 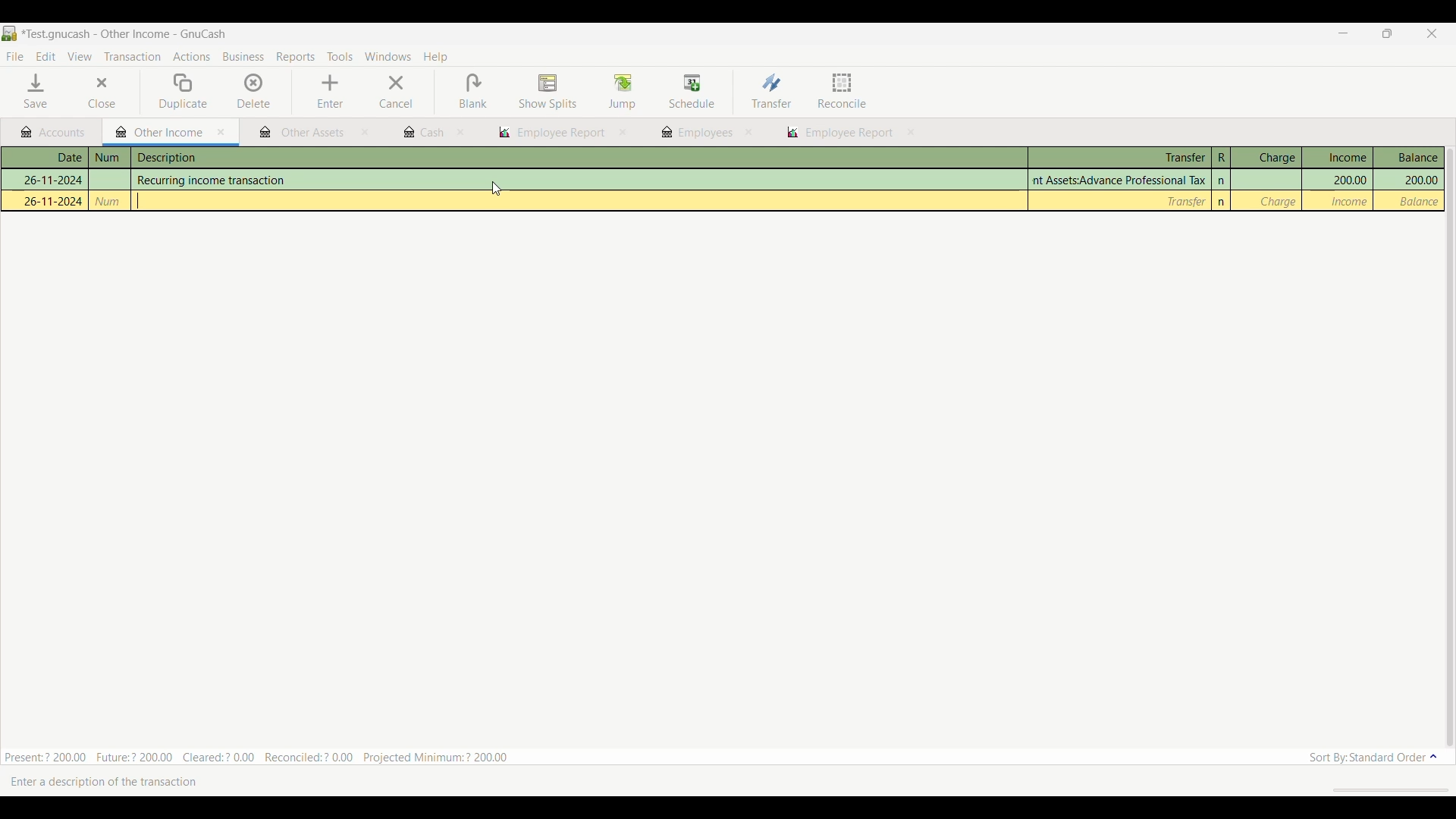 I want to click on Recurring income transaction, so click(x=217, y=180).